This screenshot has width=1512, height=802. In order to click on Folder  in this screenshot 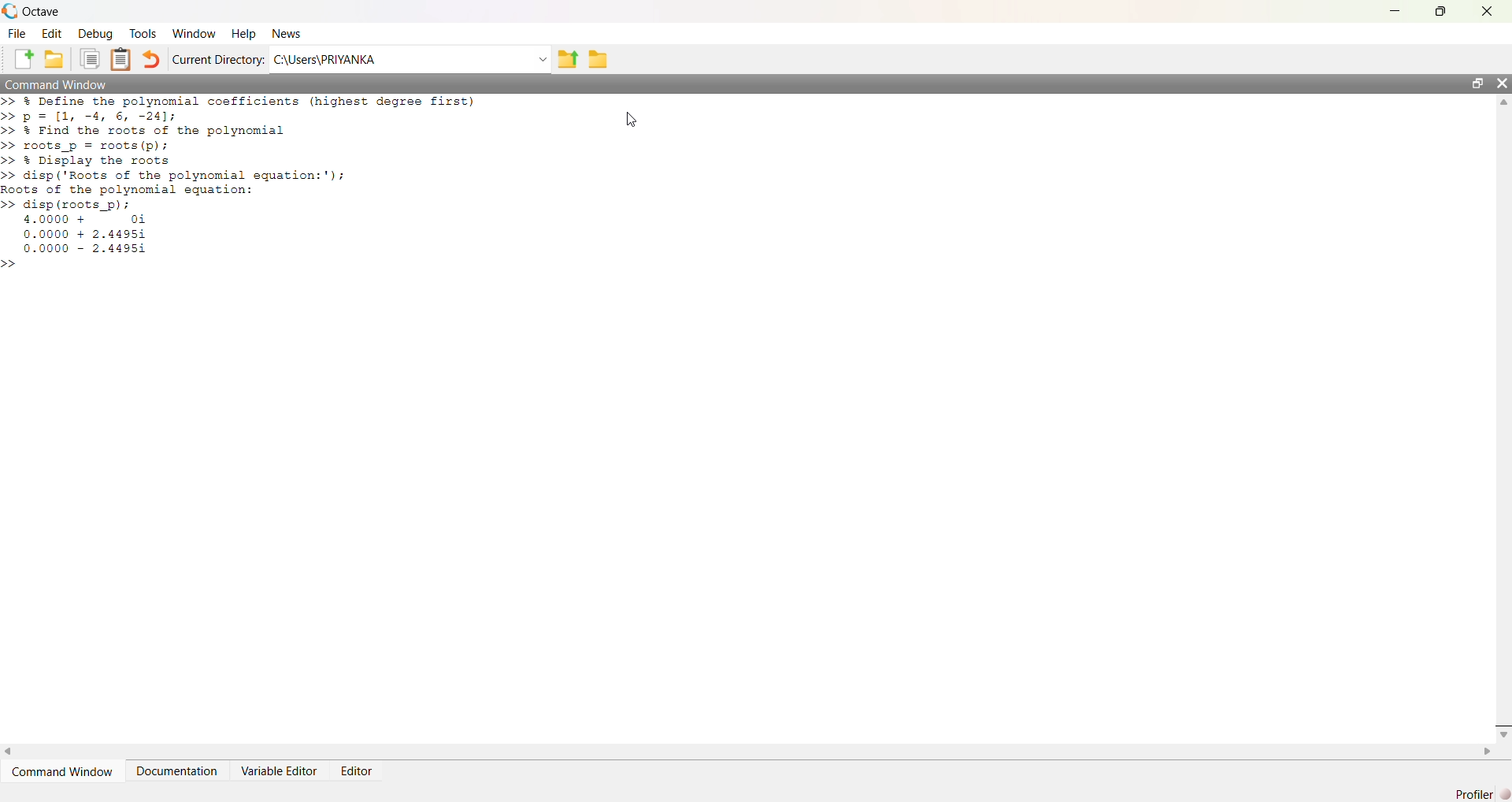, I will do `click(54, 60)`.